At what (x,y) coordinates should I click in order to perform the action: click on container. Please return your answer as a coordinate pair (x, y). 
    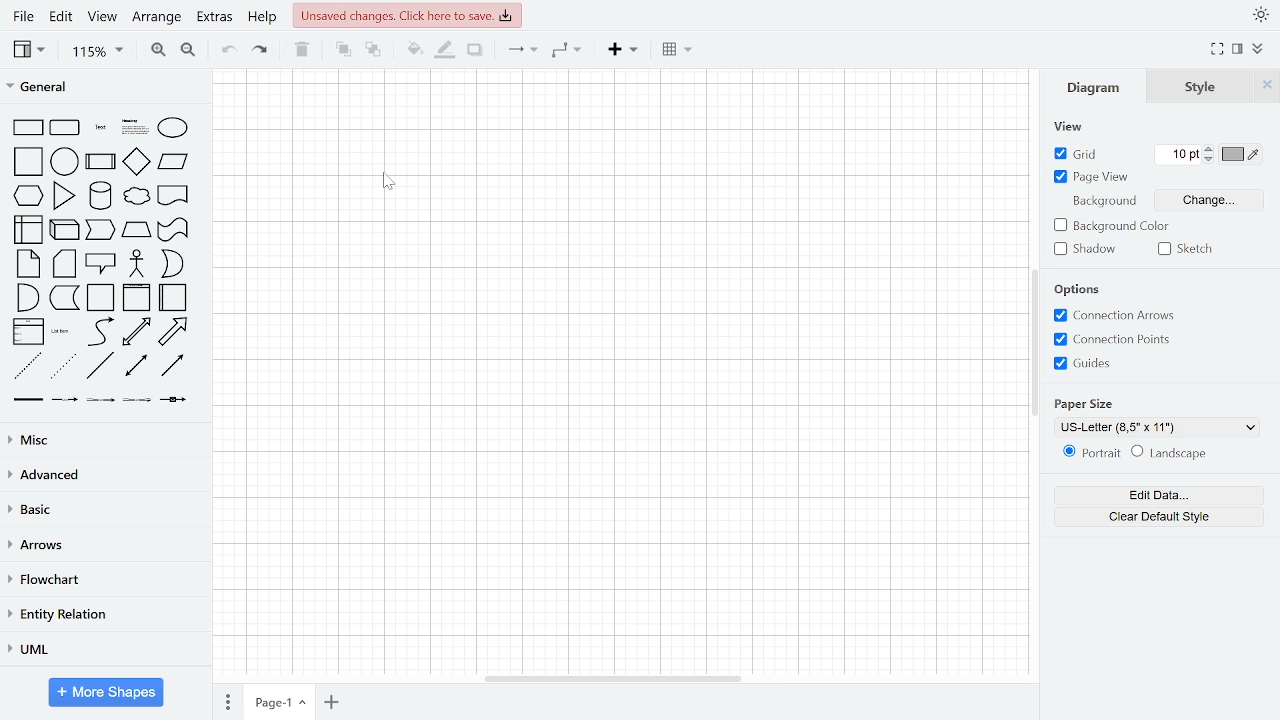
    Looking at the image, I should click on (102, 298).